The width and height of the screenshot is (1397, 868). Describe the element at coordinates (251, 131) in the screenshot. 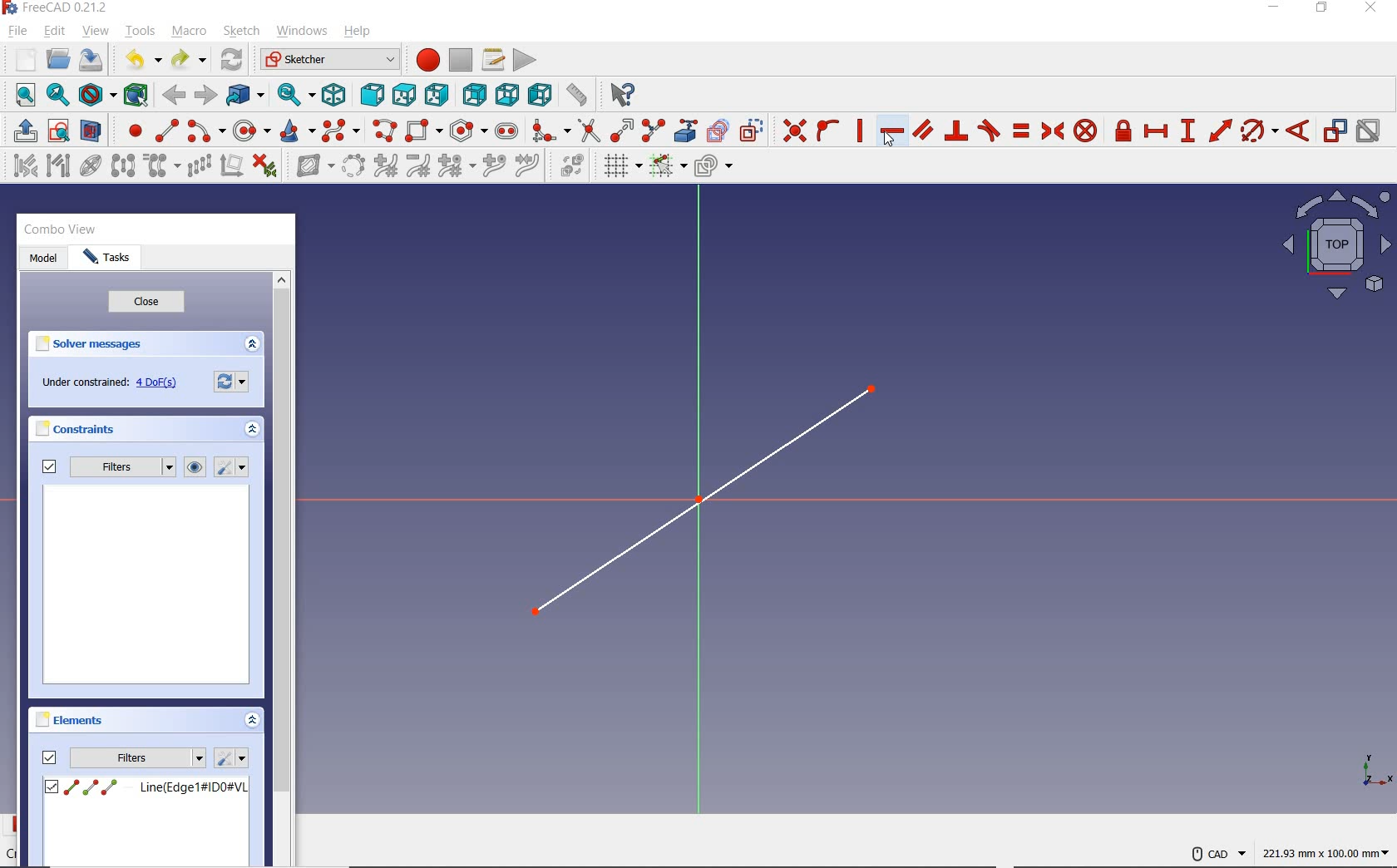

I see `CREATE CIRCLE` at that location.